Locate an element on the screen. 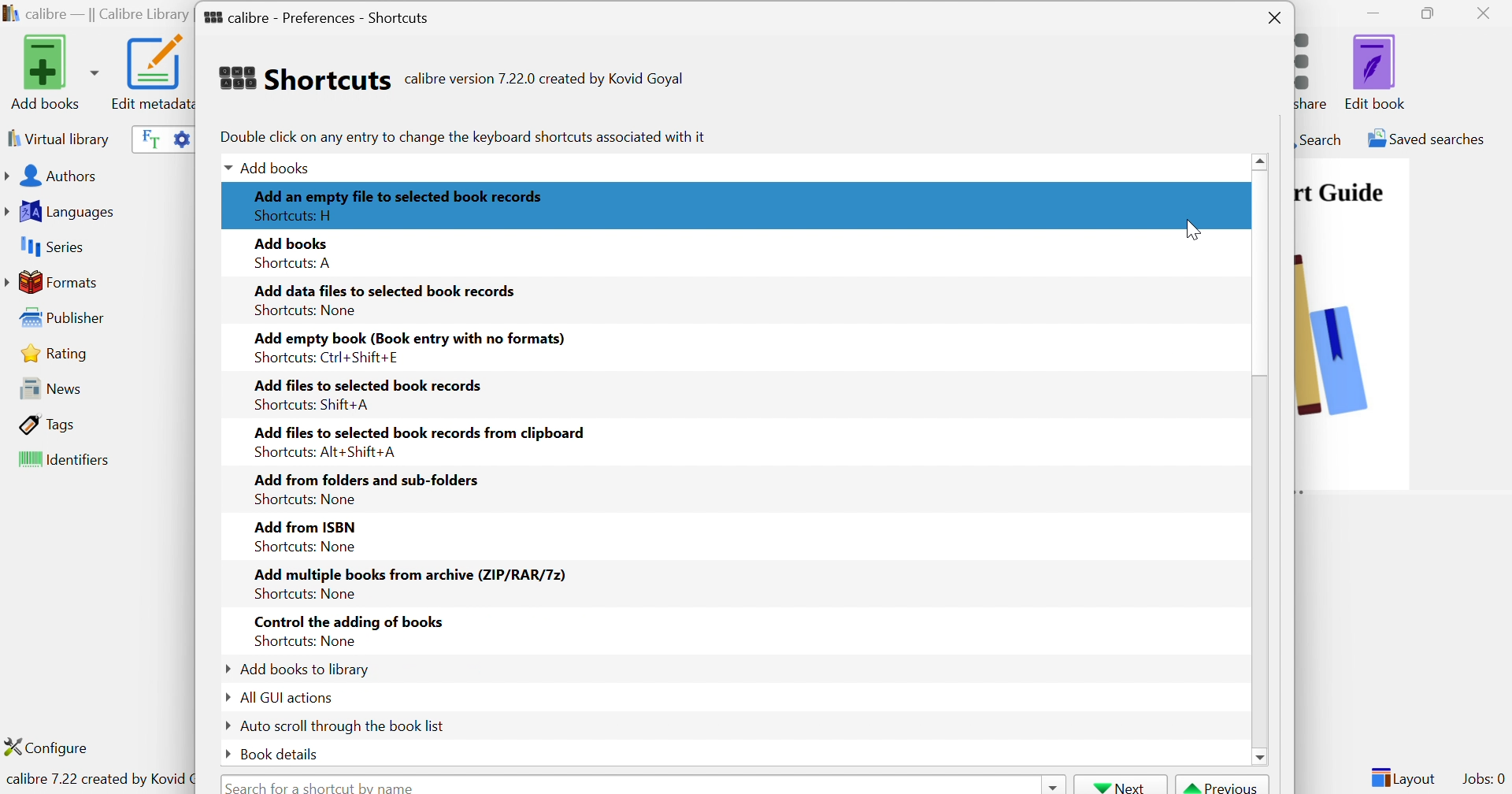  Advanced search is located at coordinates (180, 137).